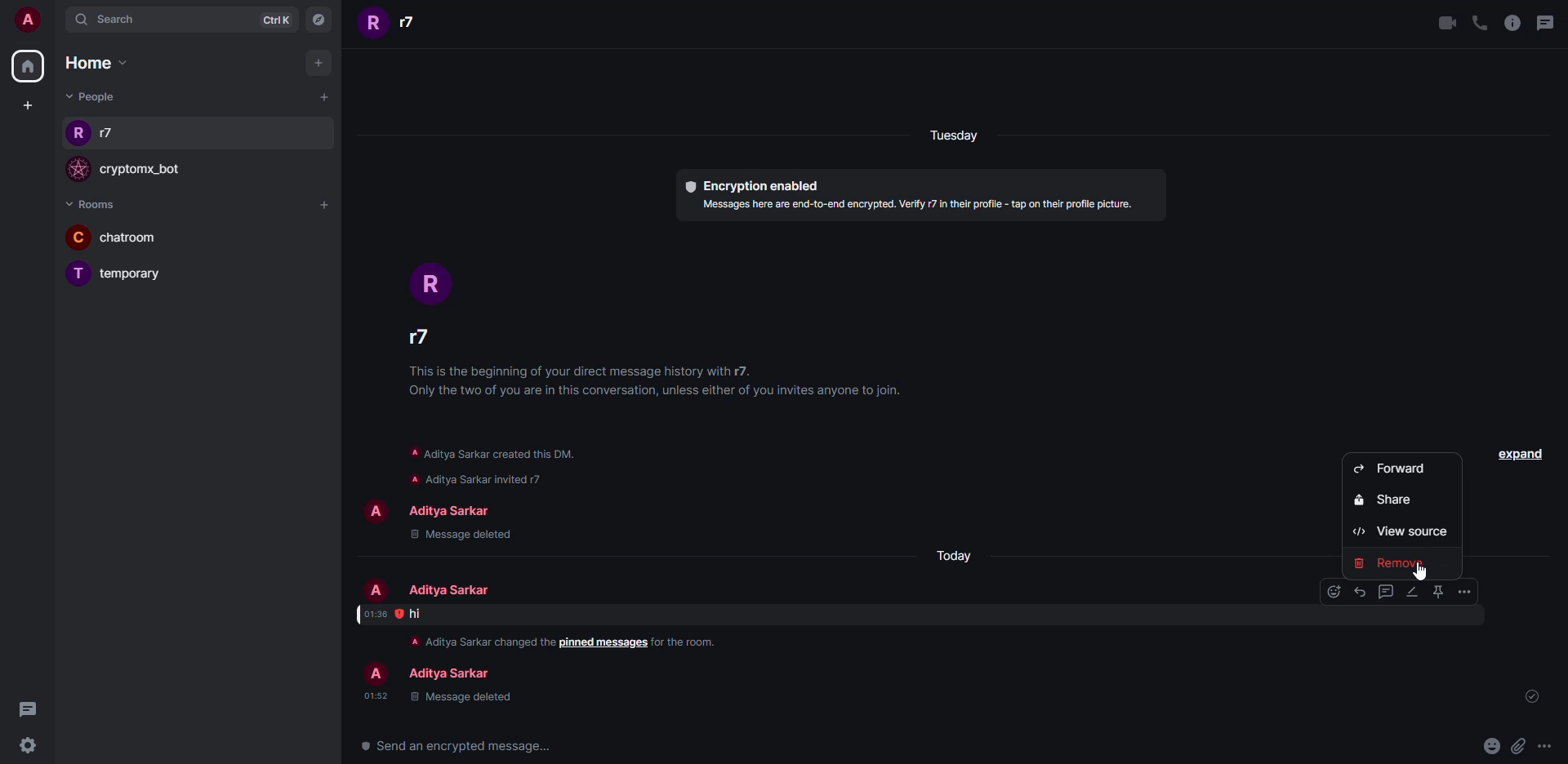  I want to click on create space, so click(24, 104).